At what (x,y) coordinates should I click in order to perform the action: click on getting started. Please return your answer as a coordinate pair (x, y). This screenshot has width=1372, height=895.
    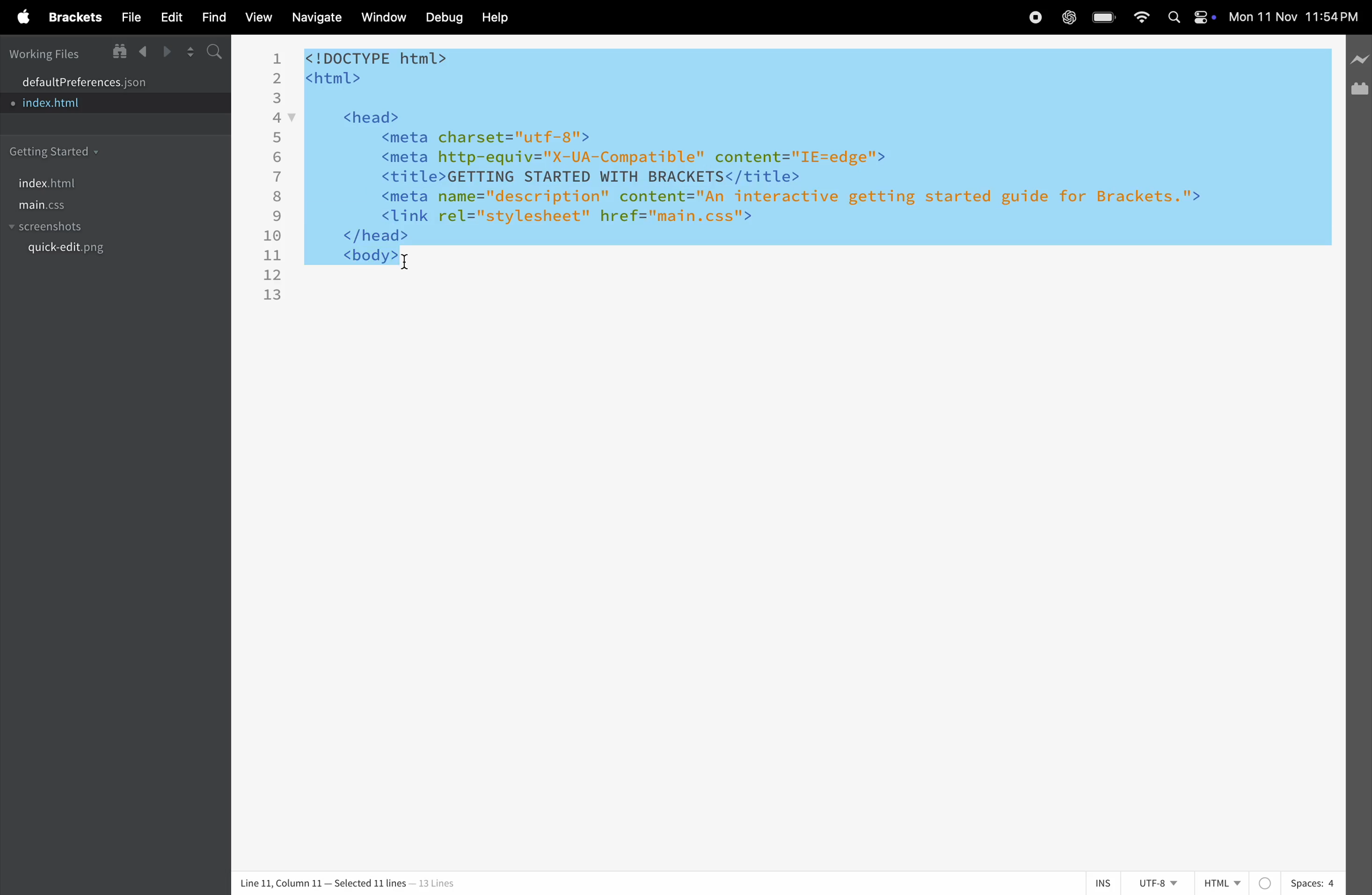
    Looking at the image, I should click on (61, 149).